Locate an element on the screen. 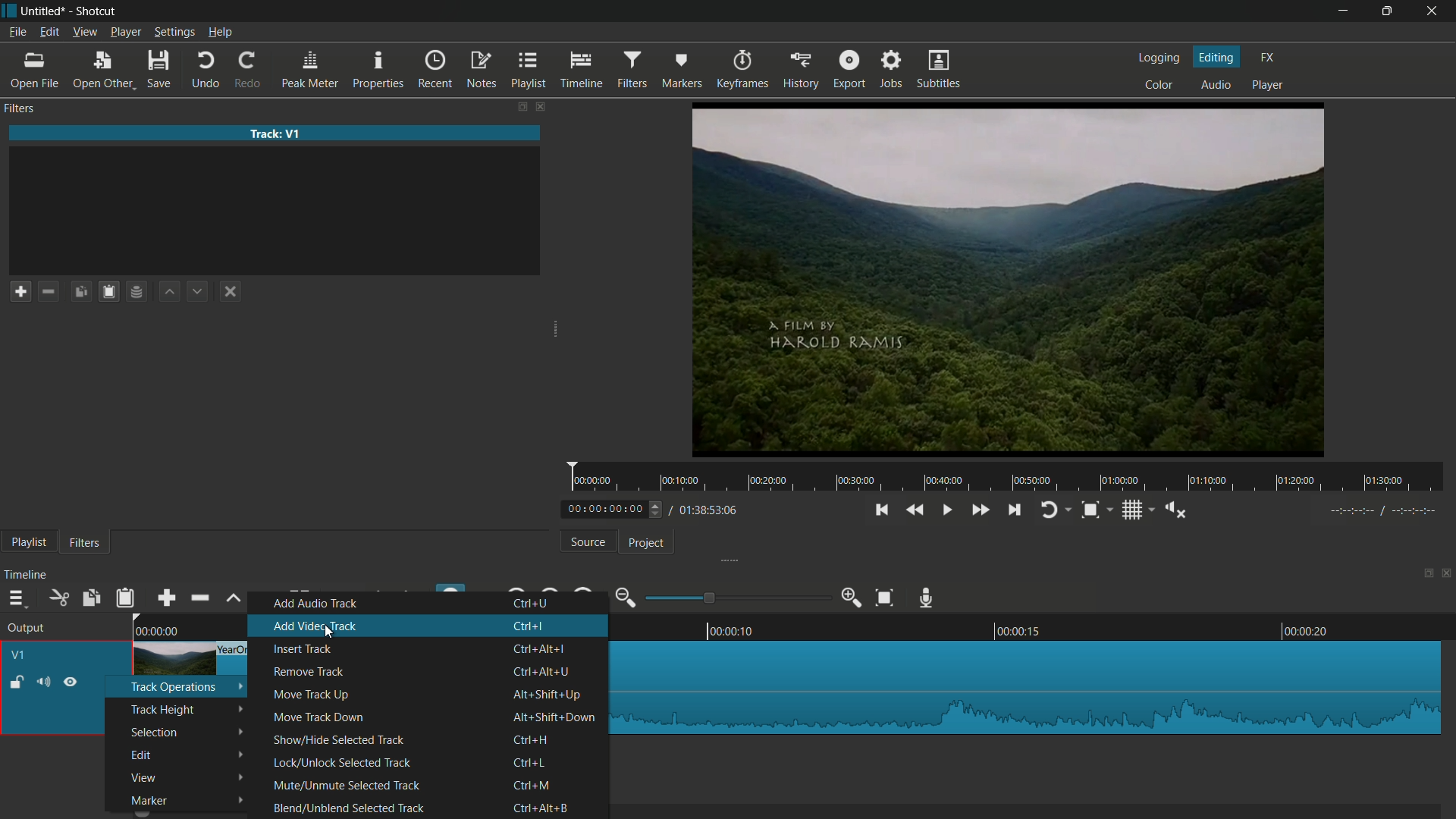  project name is located at coordinates (43, 11).